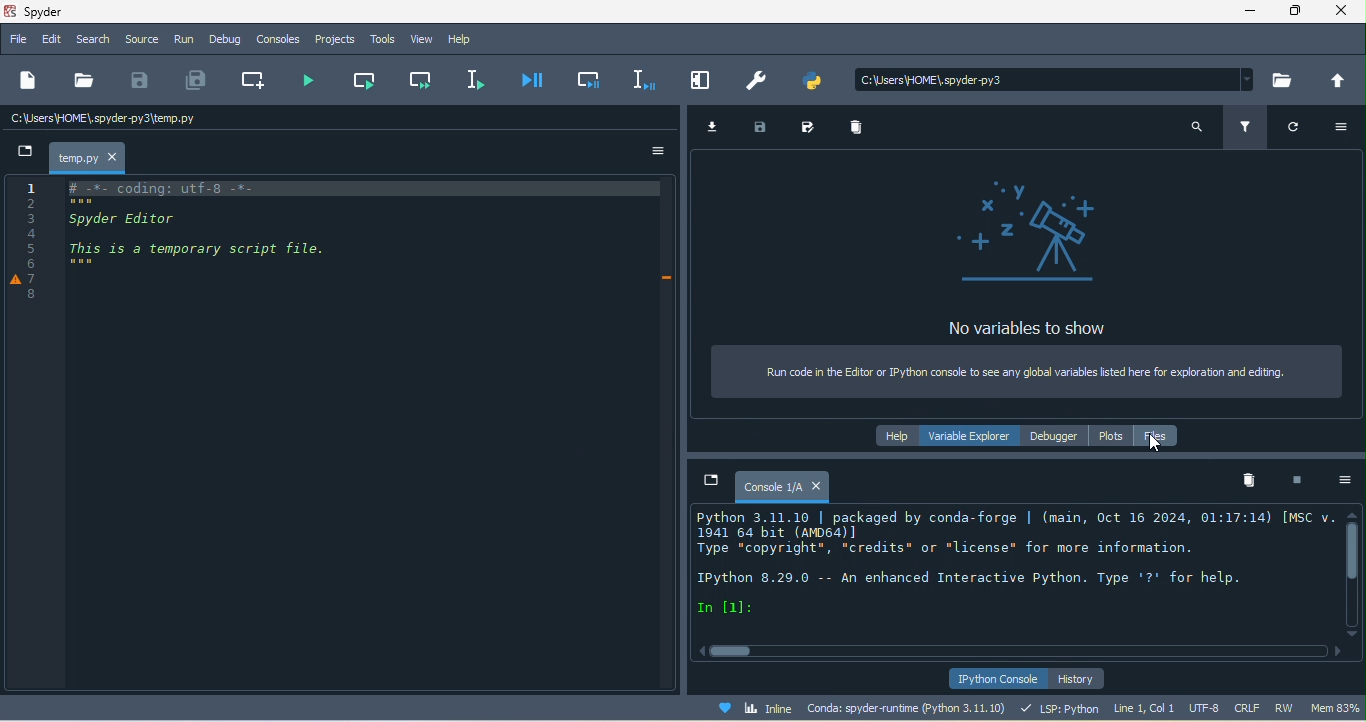 This screenshot has width=1366, height=722. I want to click on open, so click(90, 81).